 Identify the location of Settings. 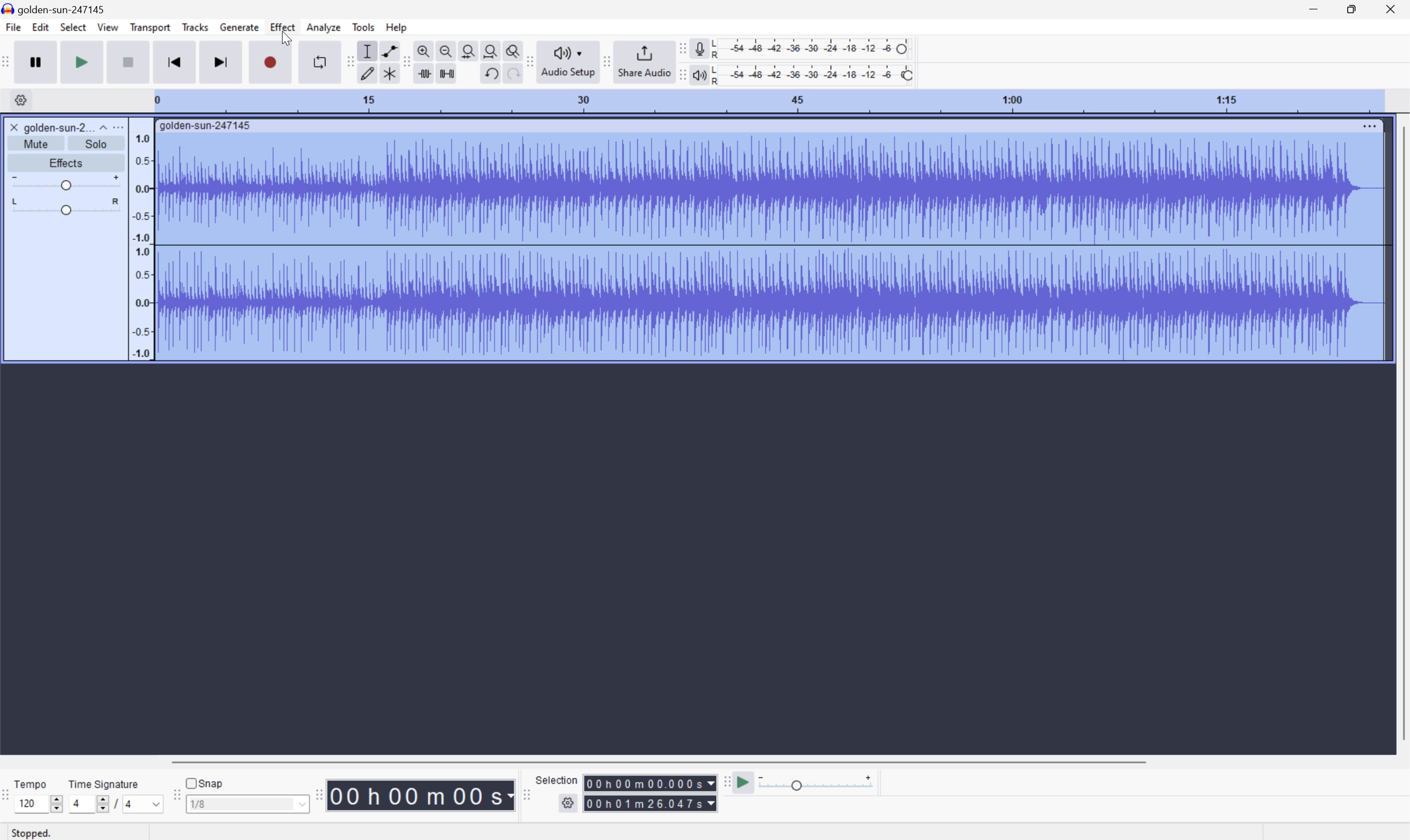
(23, 100).